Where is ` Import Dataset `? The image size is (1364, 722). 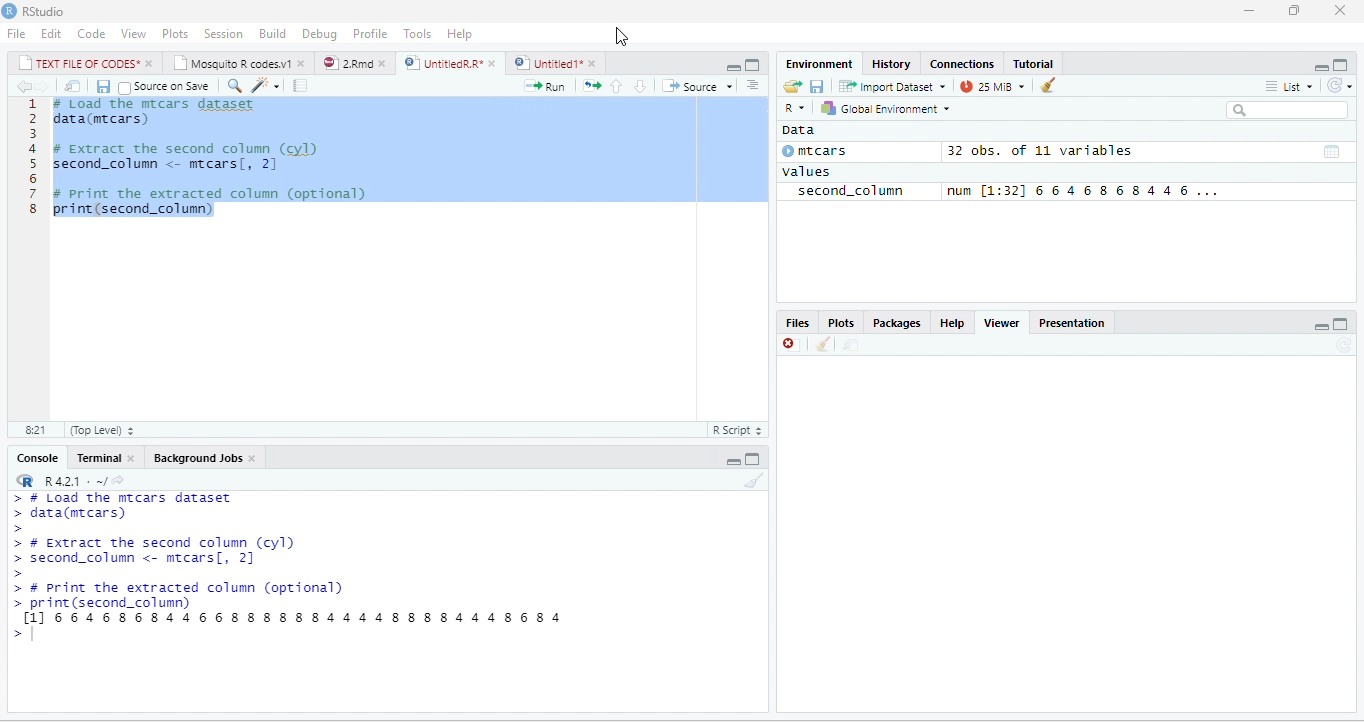
 Import Dataset  is located at coordinates (893, 86).